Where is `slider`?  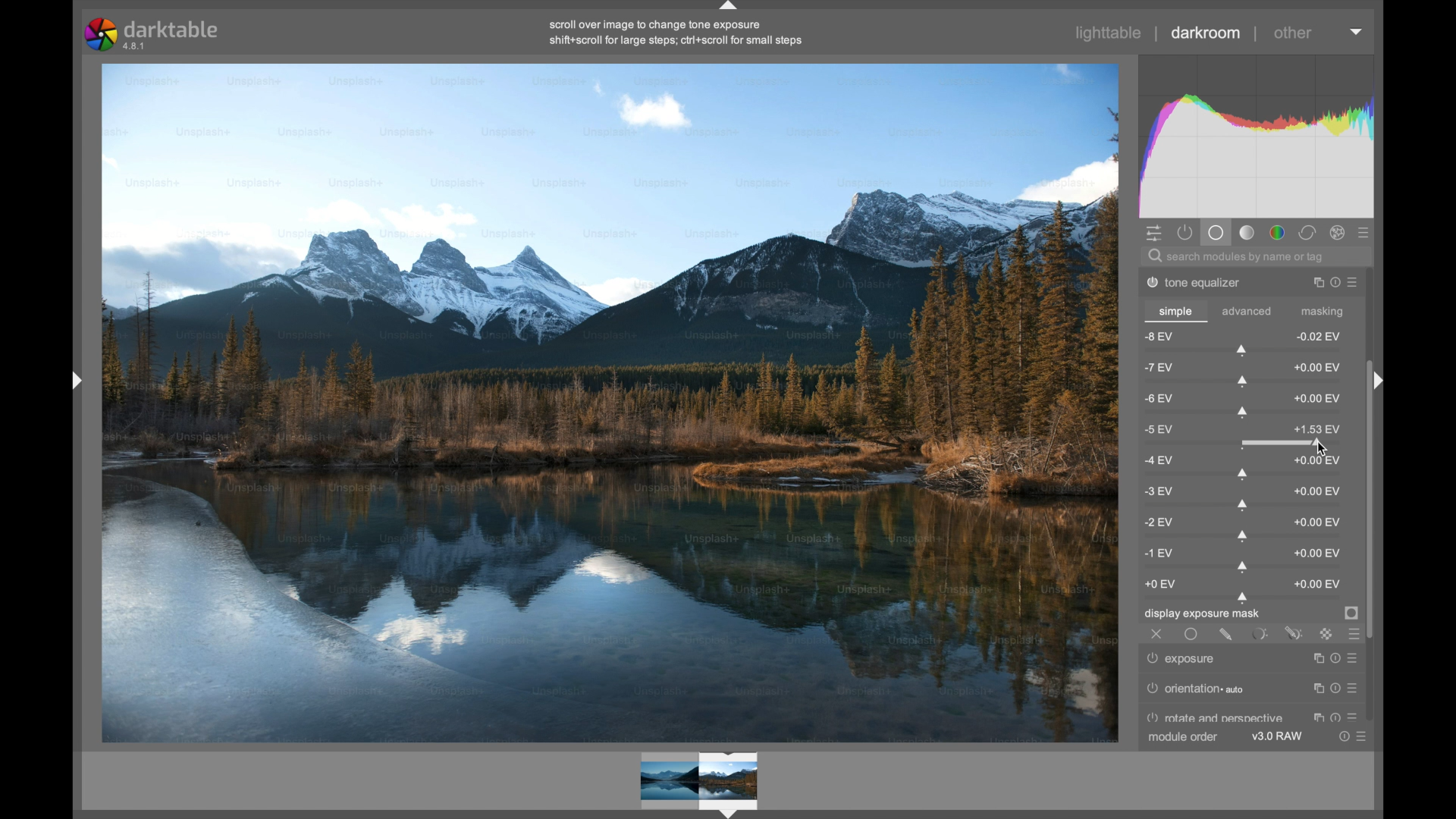 slider is located at coordinates (1241, 537).